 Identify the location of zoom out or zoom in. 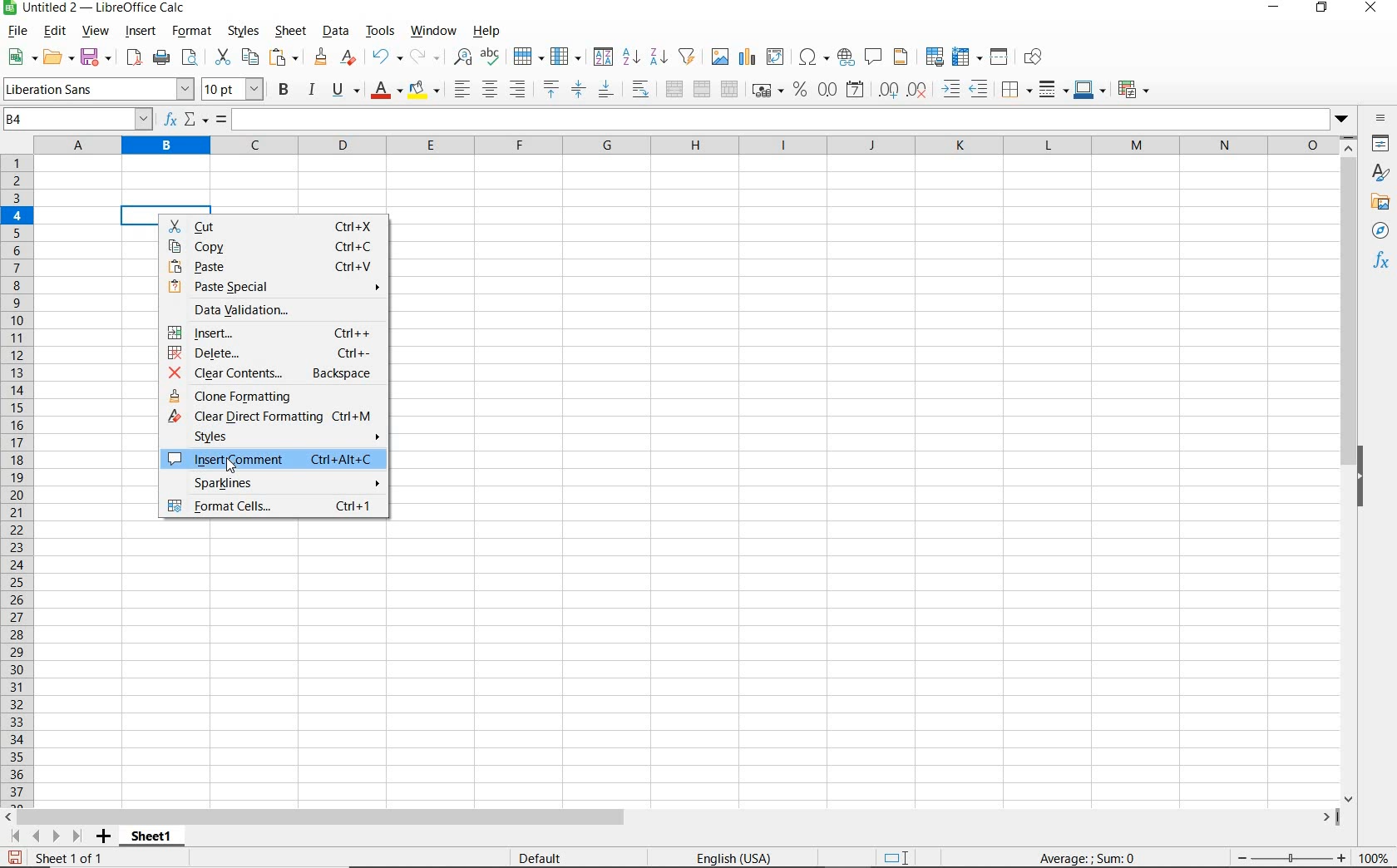
(1290, 856).